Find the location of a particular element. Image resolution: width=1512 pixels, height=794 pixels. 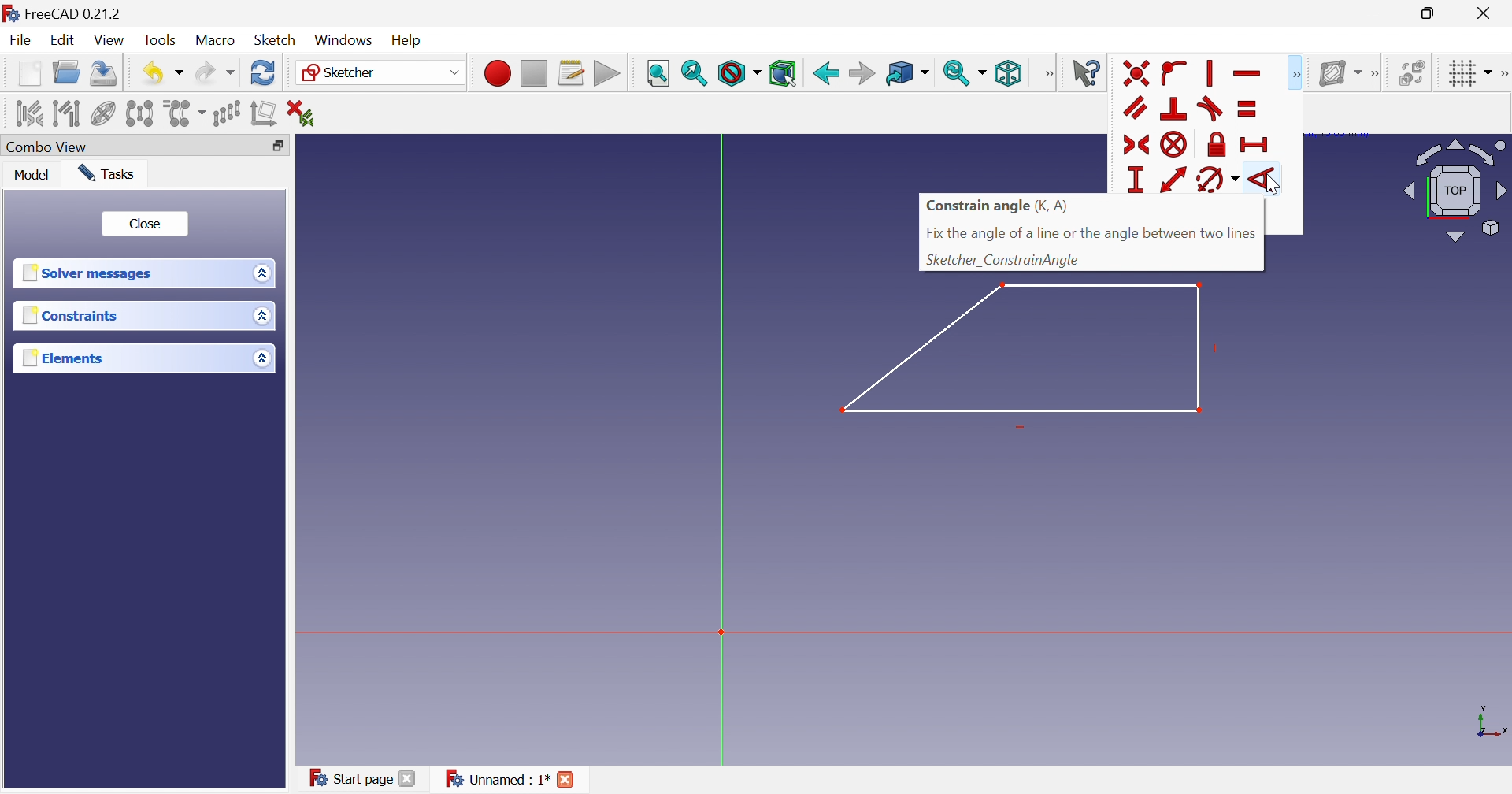

Macro is located at coordinates (216, 41).